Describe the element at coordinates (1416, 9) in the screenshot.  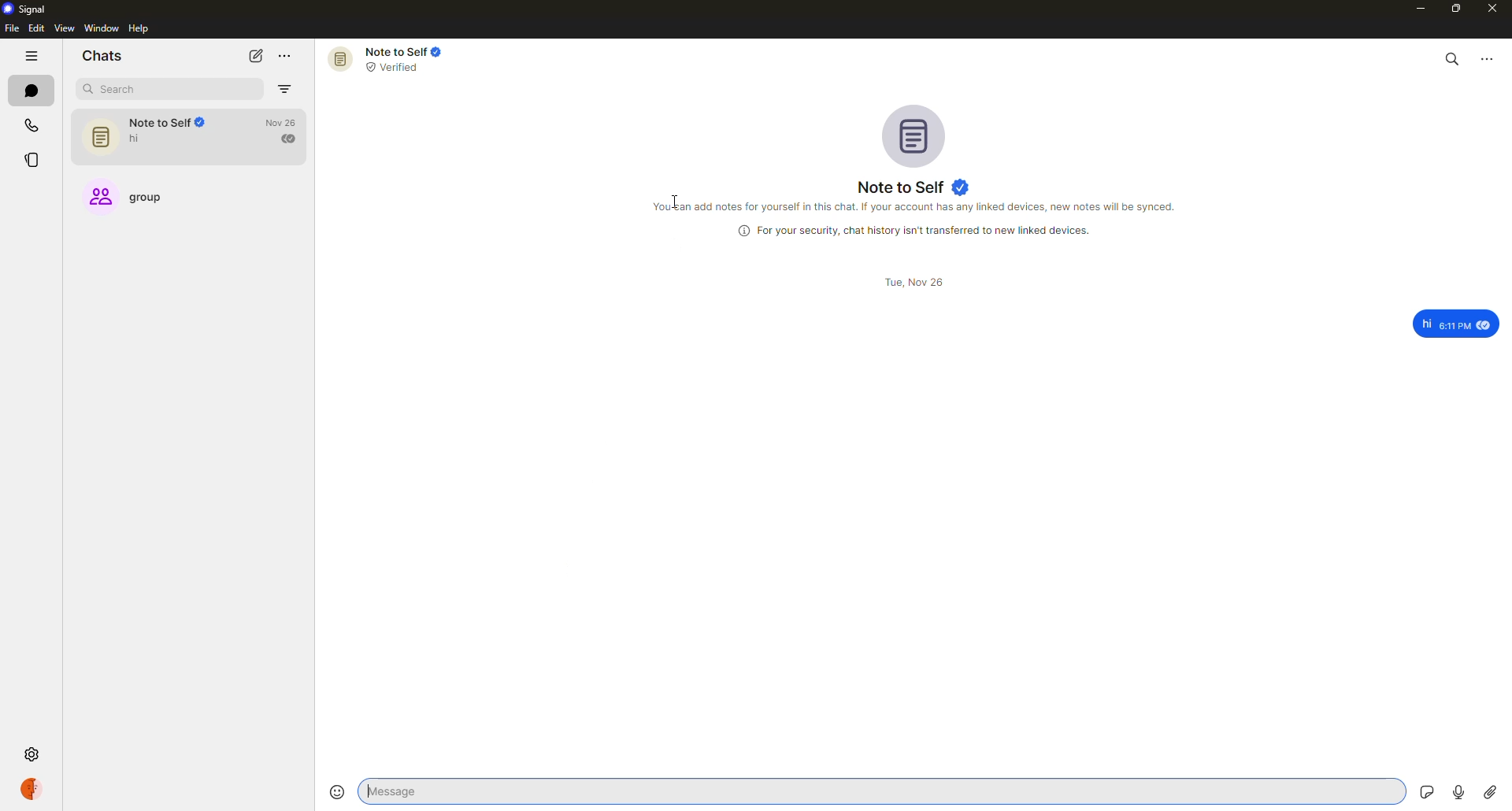
I see `minimize` at that location.